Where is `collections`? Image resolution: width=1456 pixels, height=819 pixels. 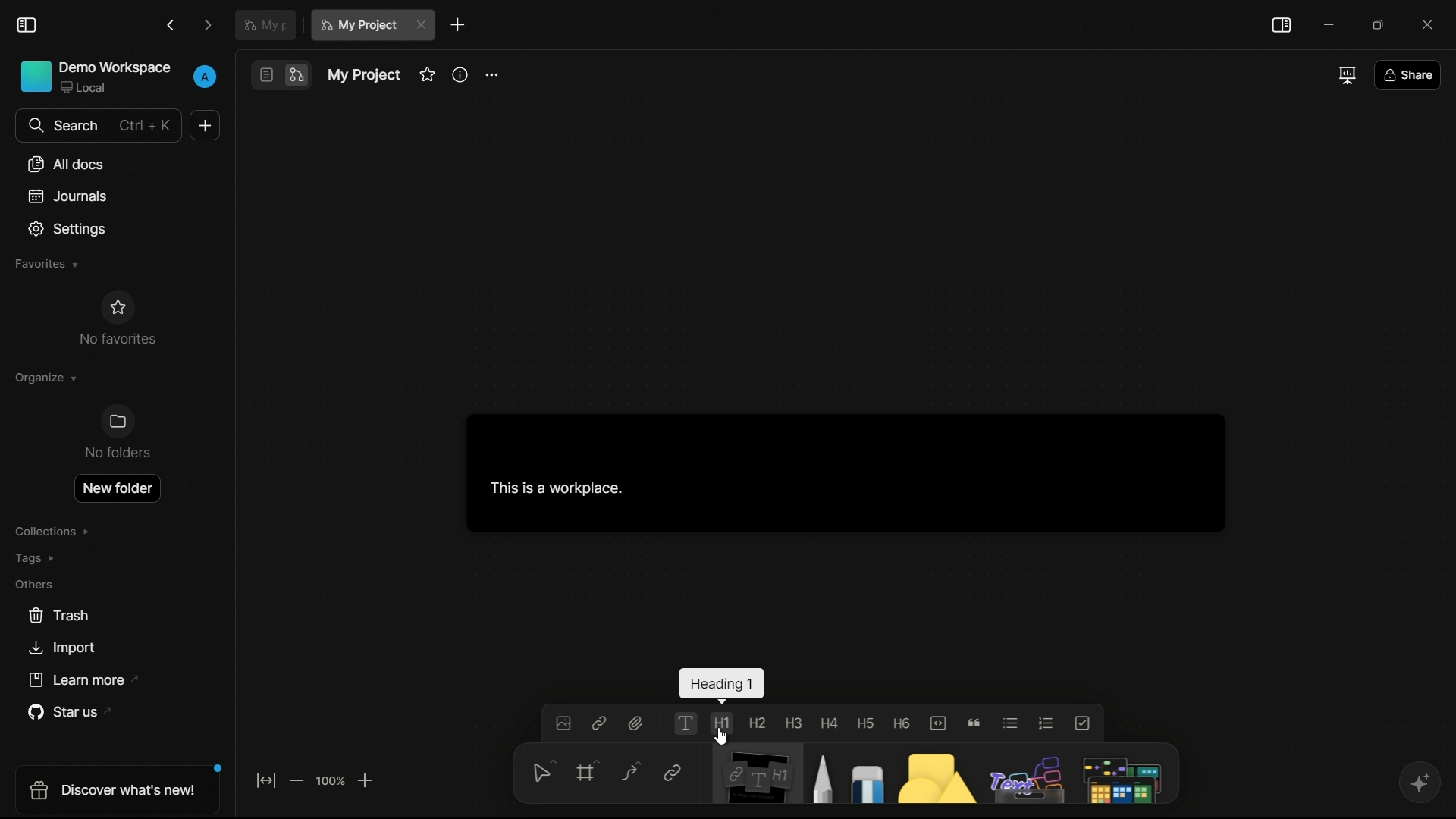
collections is located at coordinates (56, 531).